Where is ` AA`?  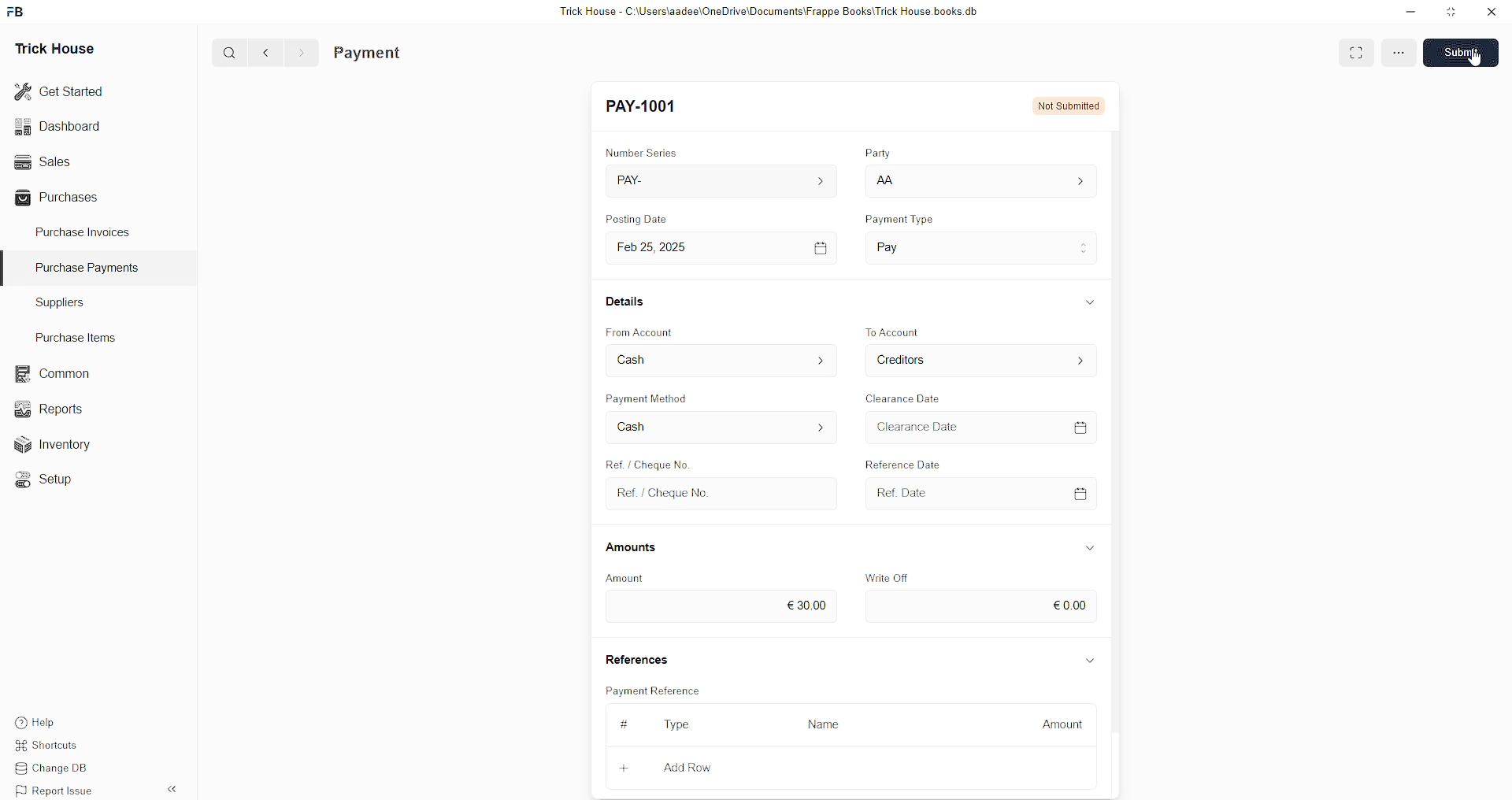  AA is located at coordinates (890, 182).